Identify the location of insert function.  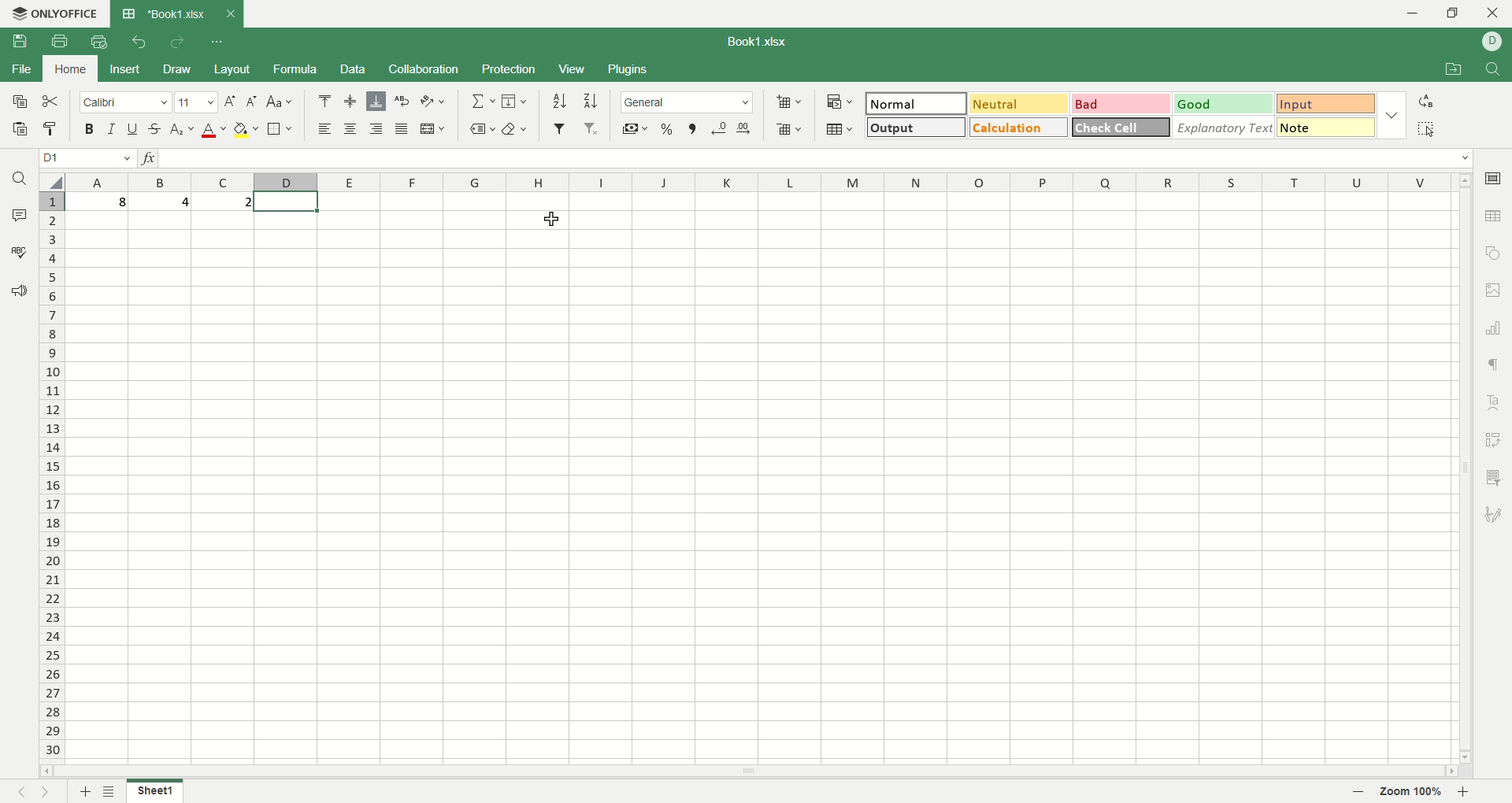
(148, 158).